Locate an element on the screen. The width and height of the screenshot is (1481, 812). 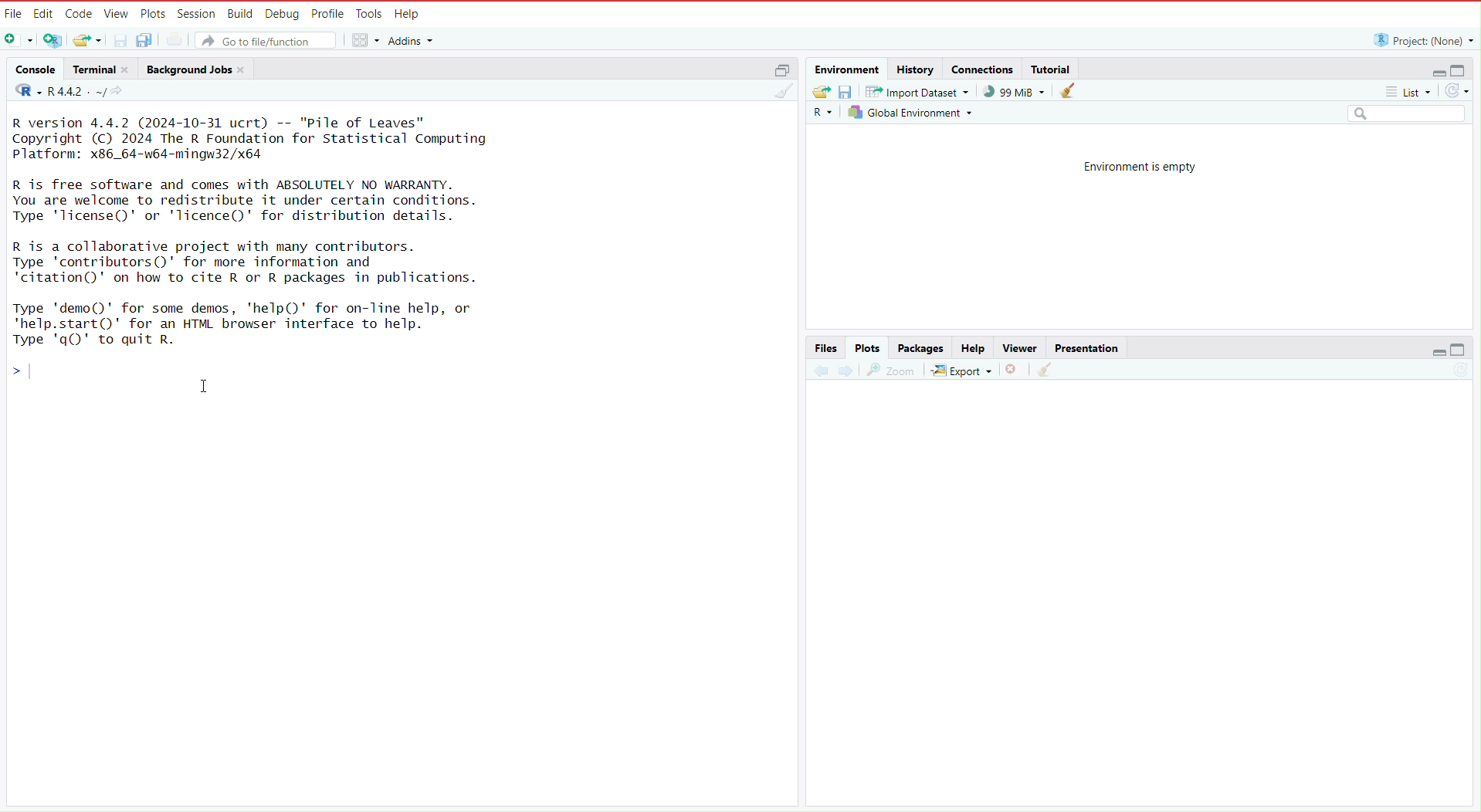
maximize is located at coordinates (1466, 353).